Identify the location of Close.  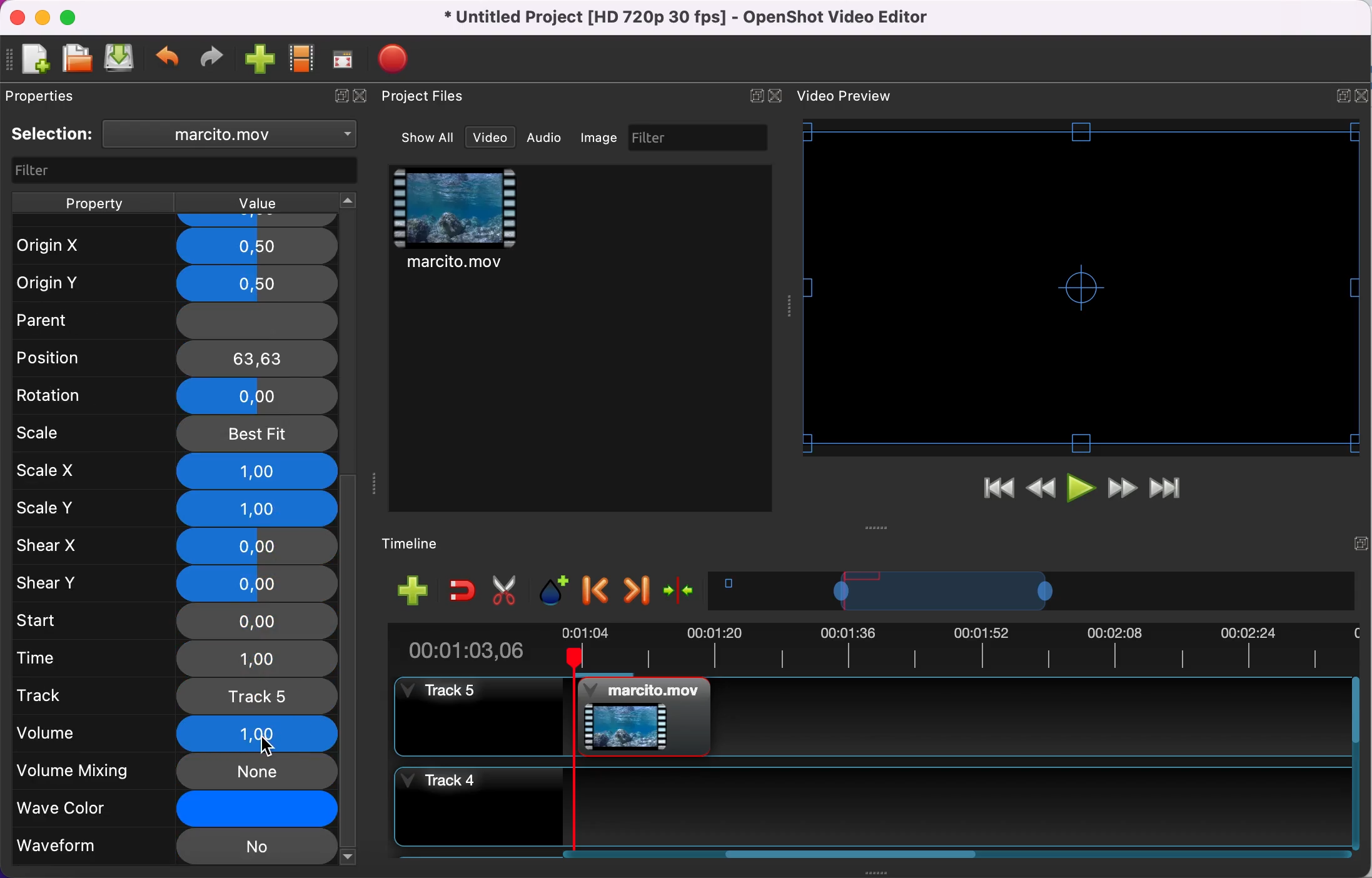
(774, 96).